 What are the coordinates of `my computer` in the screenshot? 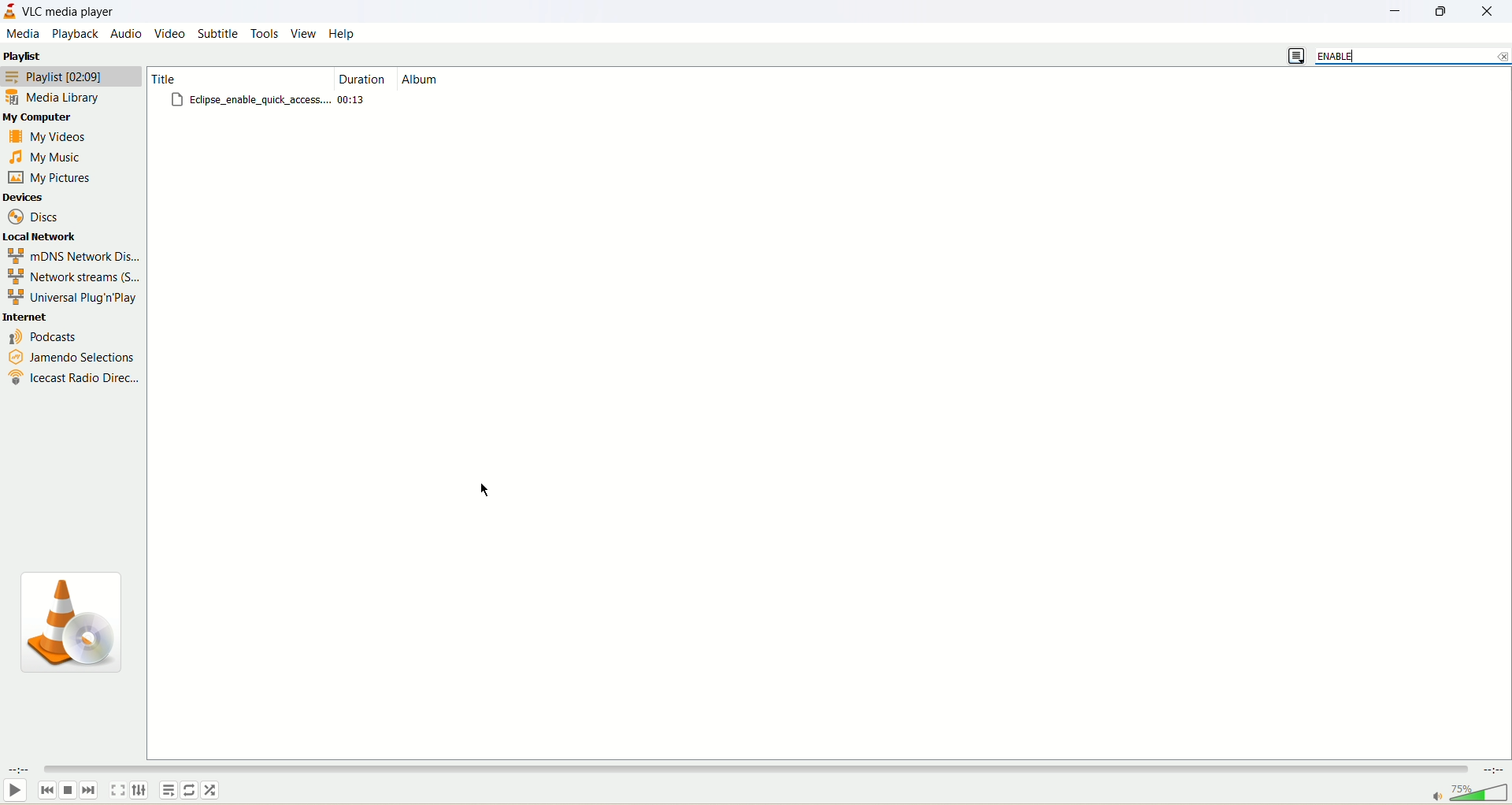 It's located at (47, 117).